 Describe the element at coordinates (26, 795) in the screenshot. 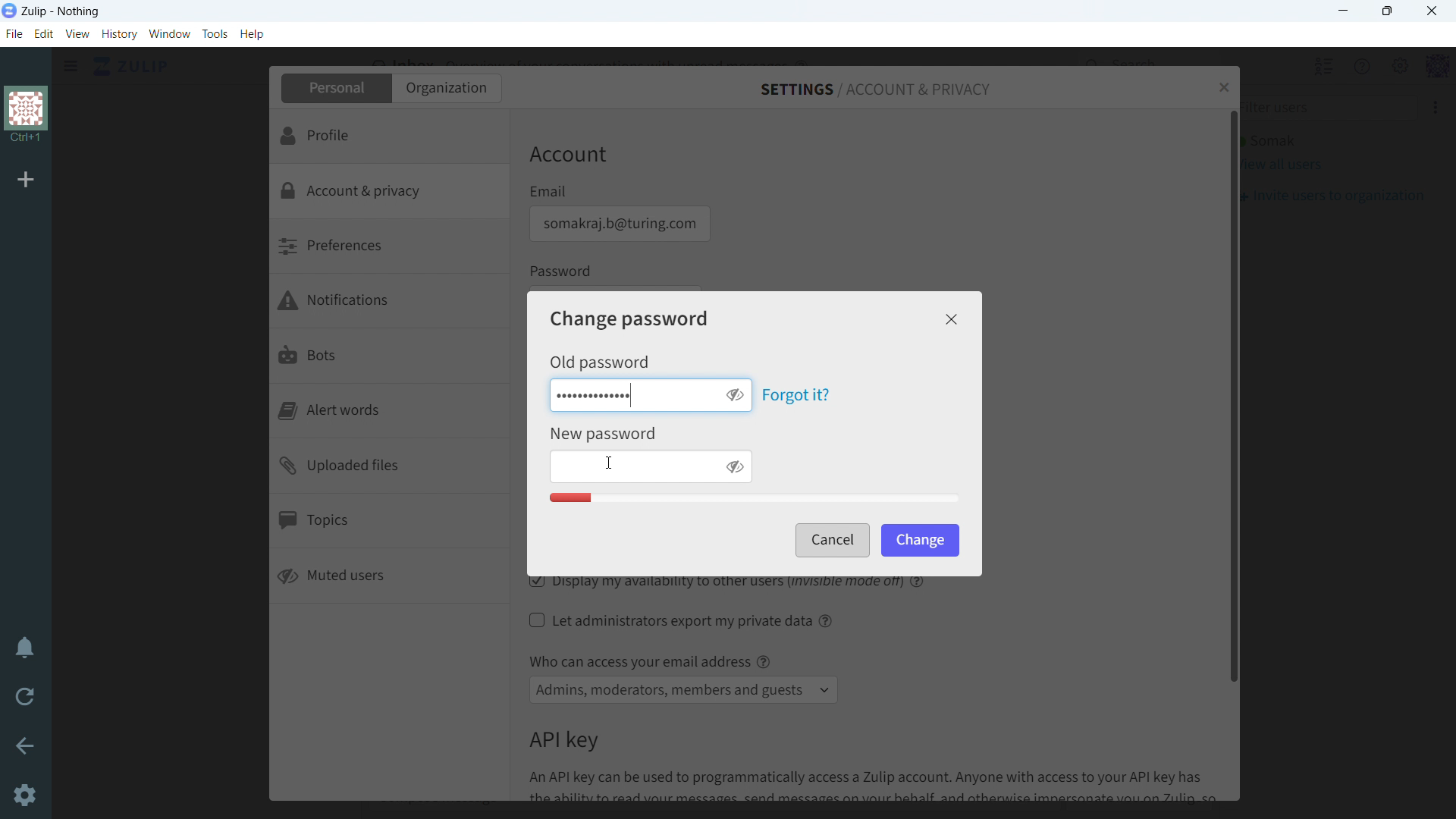

I see `Settings` at that location.